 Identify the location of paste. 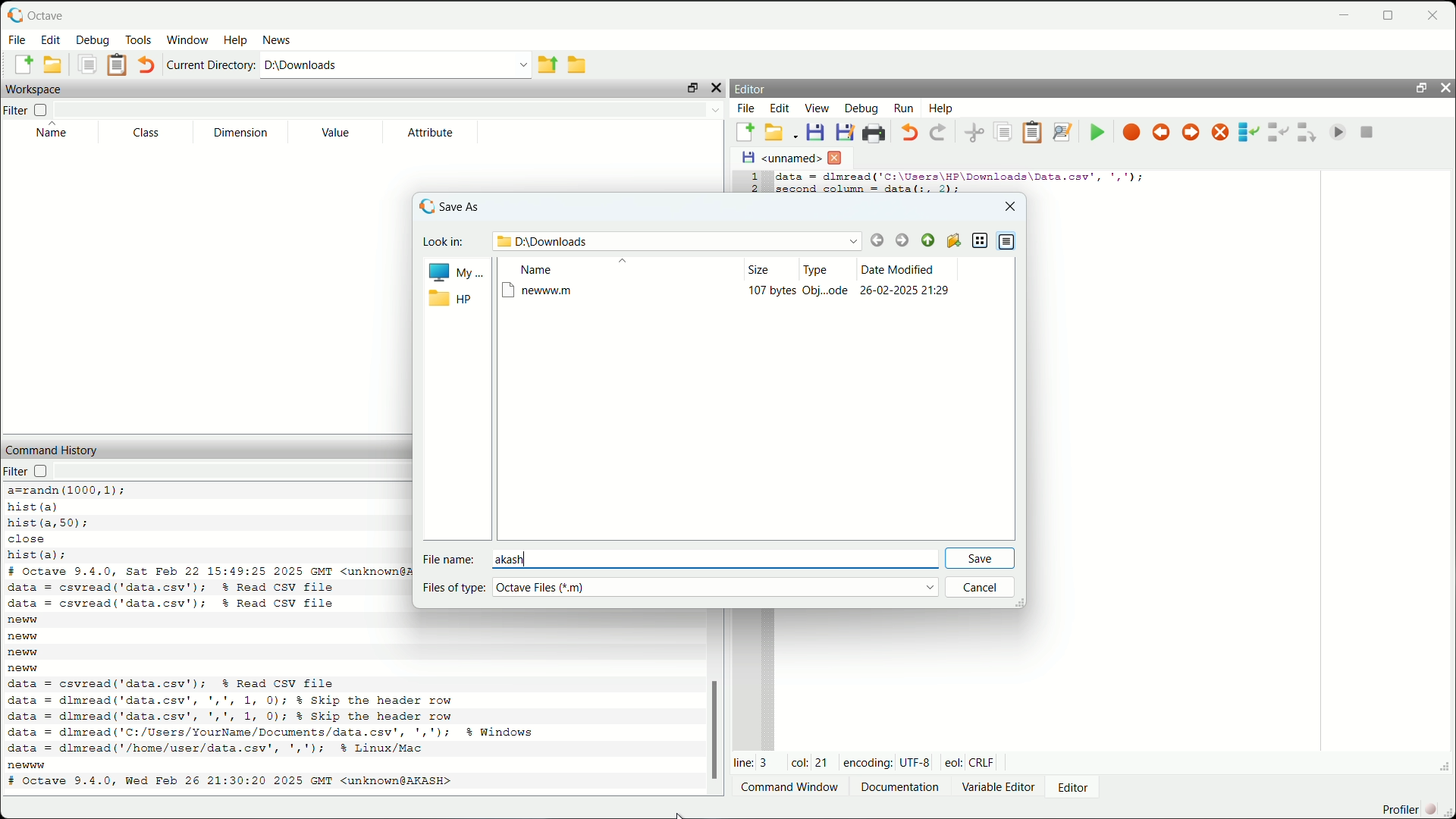
(1032, 132).